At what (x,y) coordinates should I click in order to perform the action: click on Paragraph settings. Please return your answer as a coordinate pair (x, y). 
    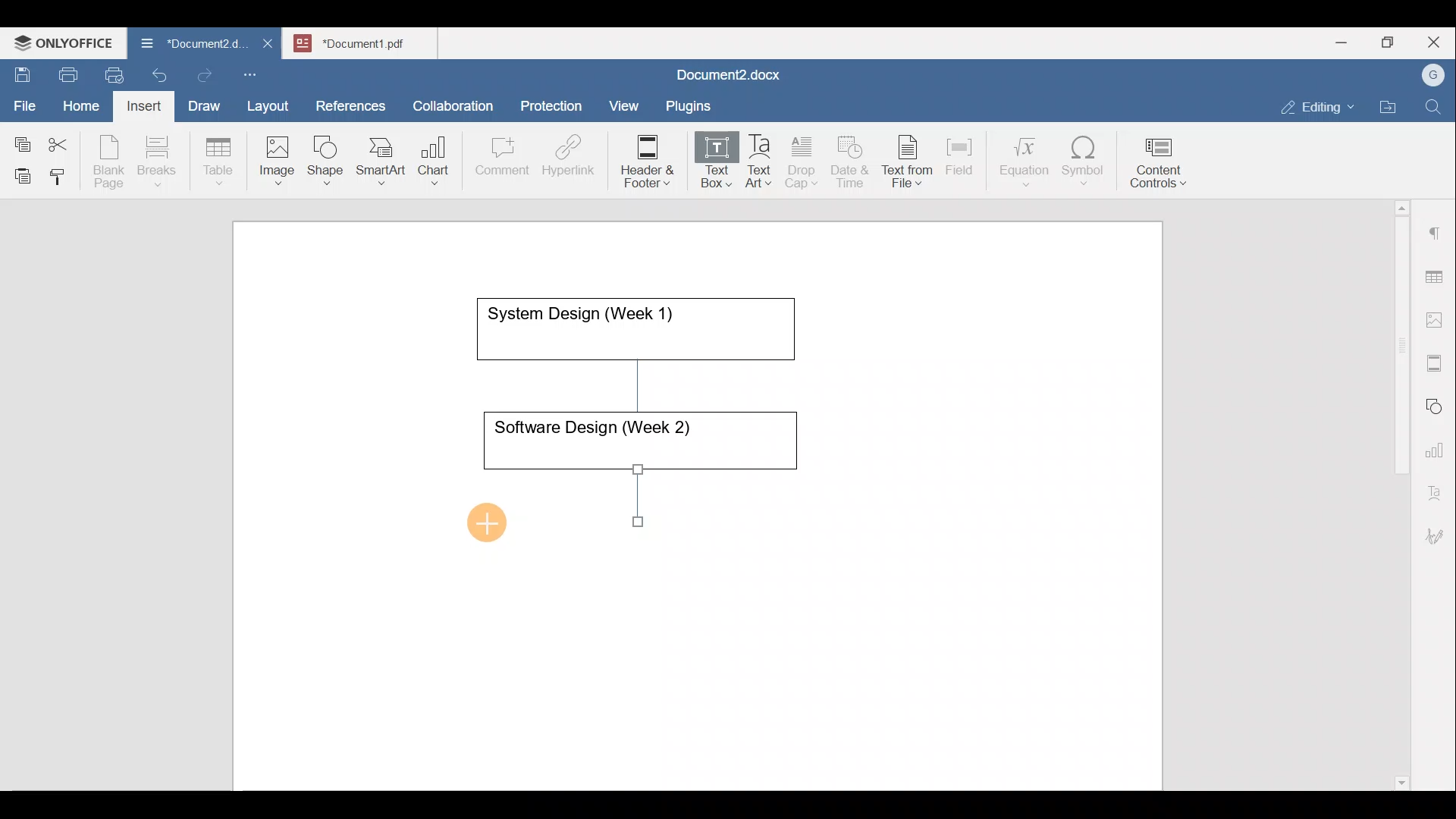
    Looking at the image, I should click on (1436, 227).